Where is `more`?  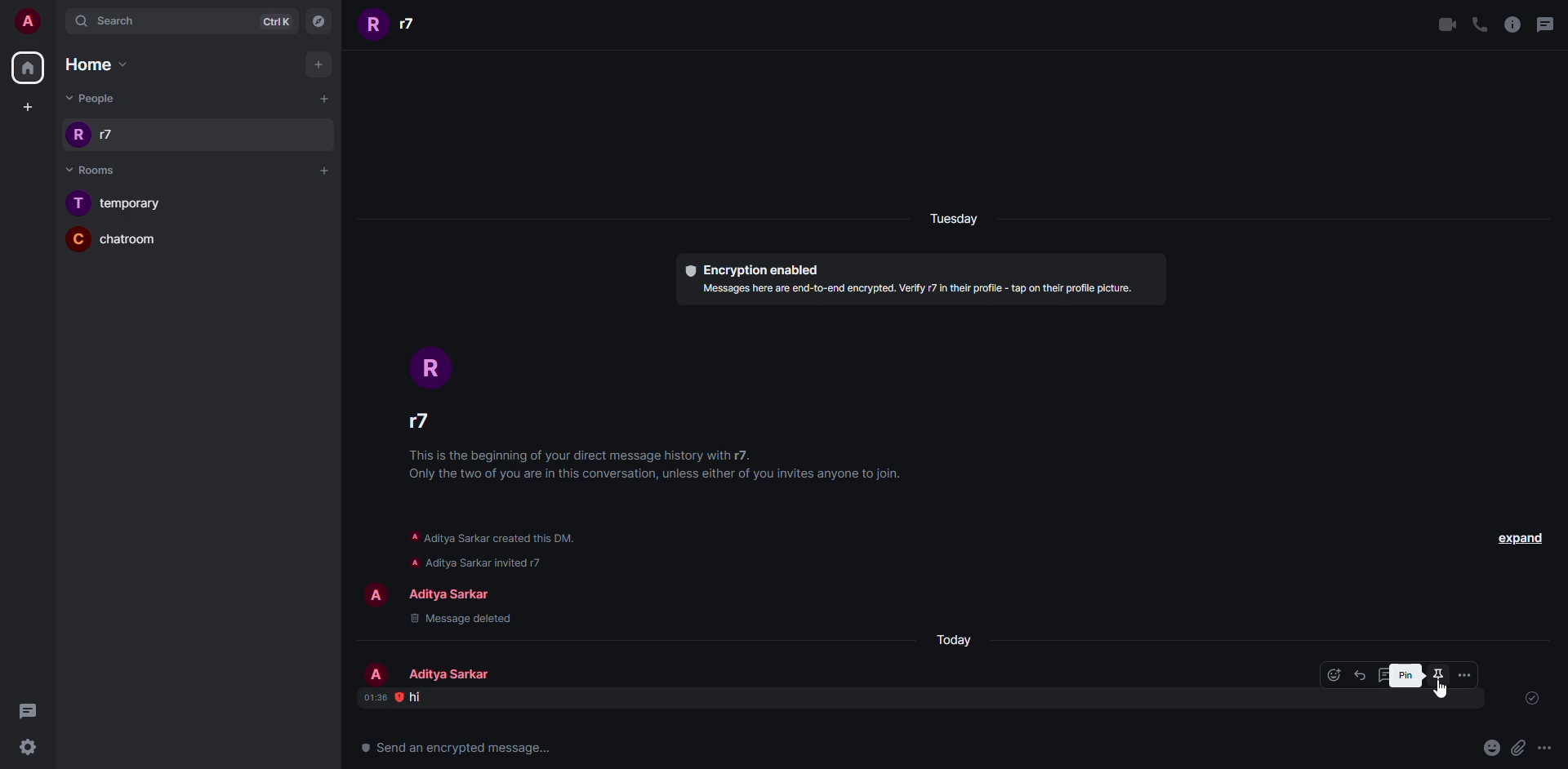 more is located at coordinates (1464, 674).